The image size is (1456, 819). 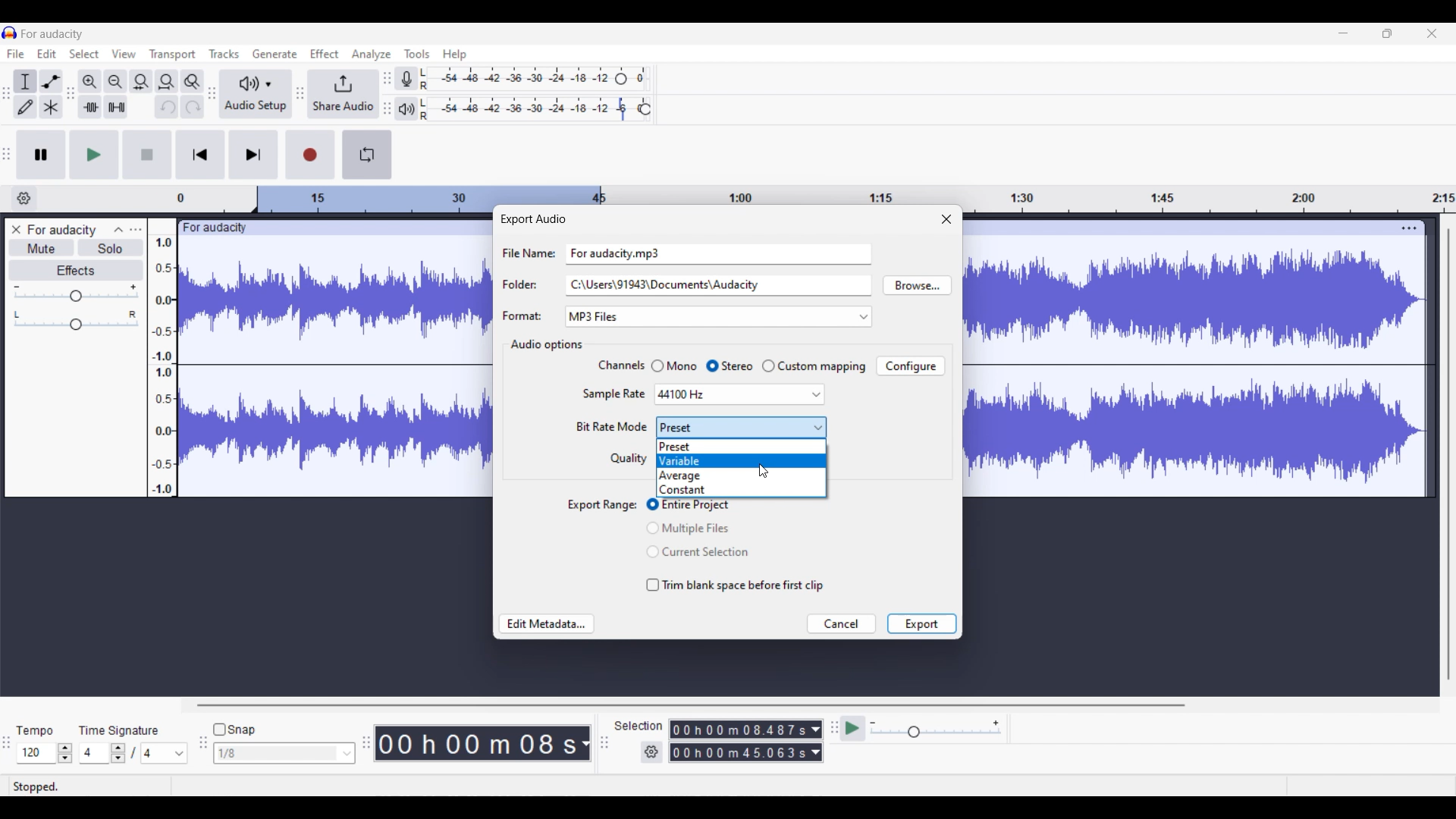 What do you see at coordinates (719, 253) in the screenshot?
I see `Text box for File Name` at bounding box center [719, 253].